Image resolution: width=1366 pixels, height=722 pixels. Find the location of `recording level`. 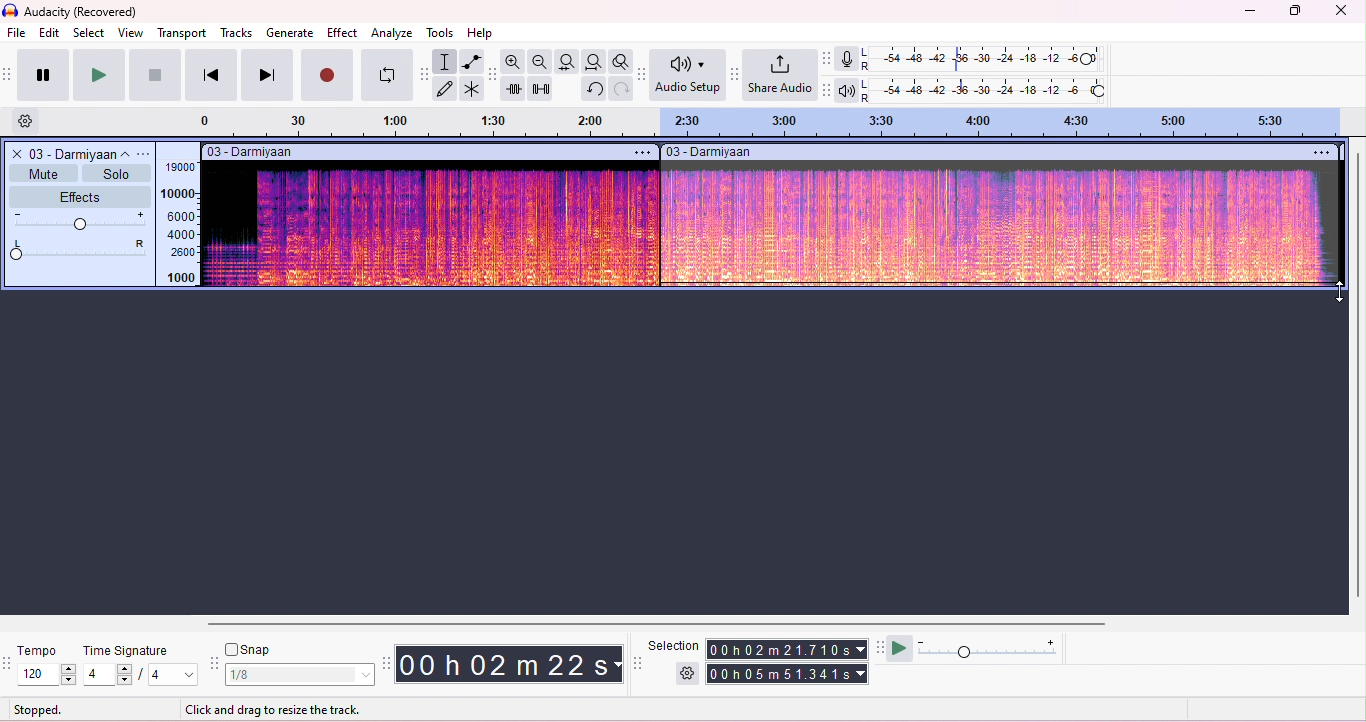

recording level is located at coordinates (984, 59).